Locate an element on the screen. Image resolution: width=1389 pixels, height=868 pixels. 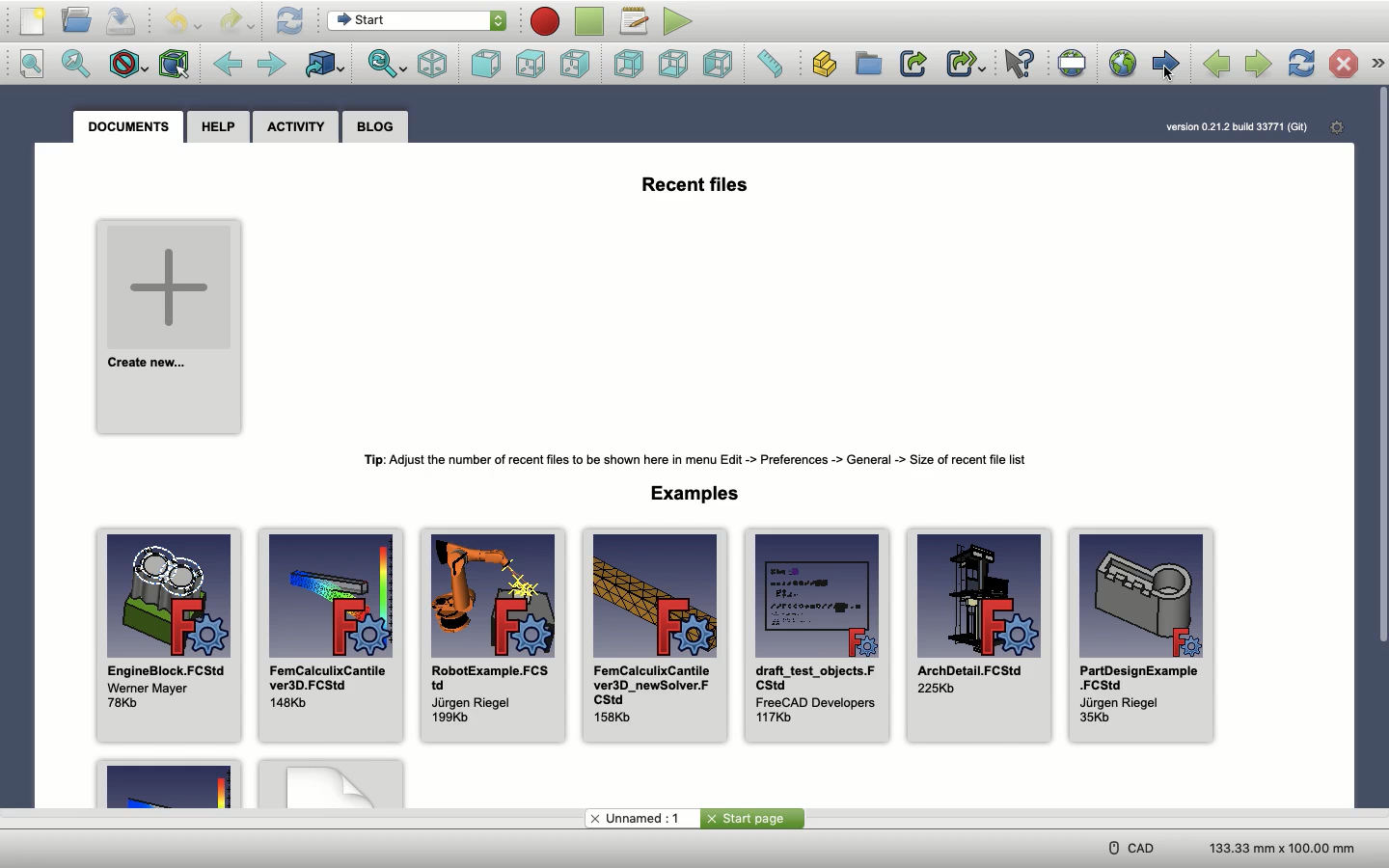
Previous page is located at coordinates (1217, 66).